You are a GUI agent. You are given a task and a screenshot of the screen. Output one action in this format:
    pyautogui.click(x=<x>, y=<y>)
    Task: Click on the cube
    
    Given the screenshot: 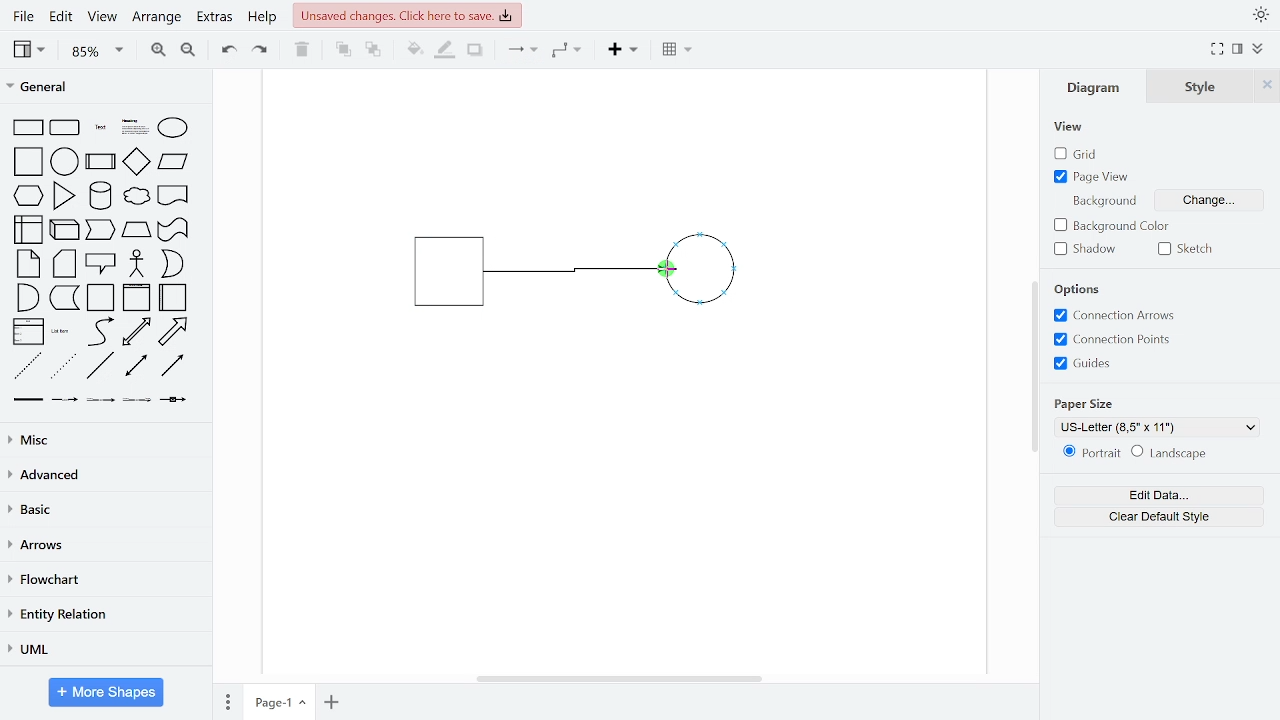 What is the action you would take?
    pyautogui.click(x=66, y=228)
    